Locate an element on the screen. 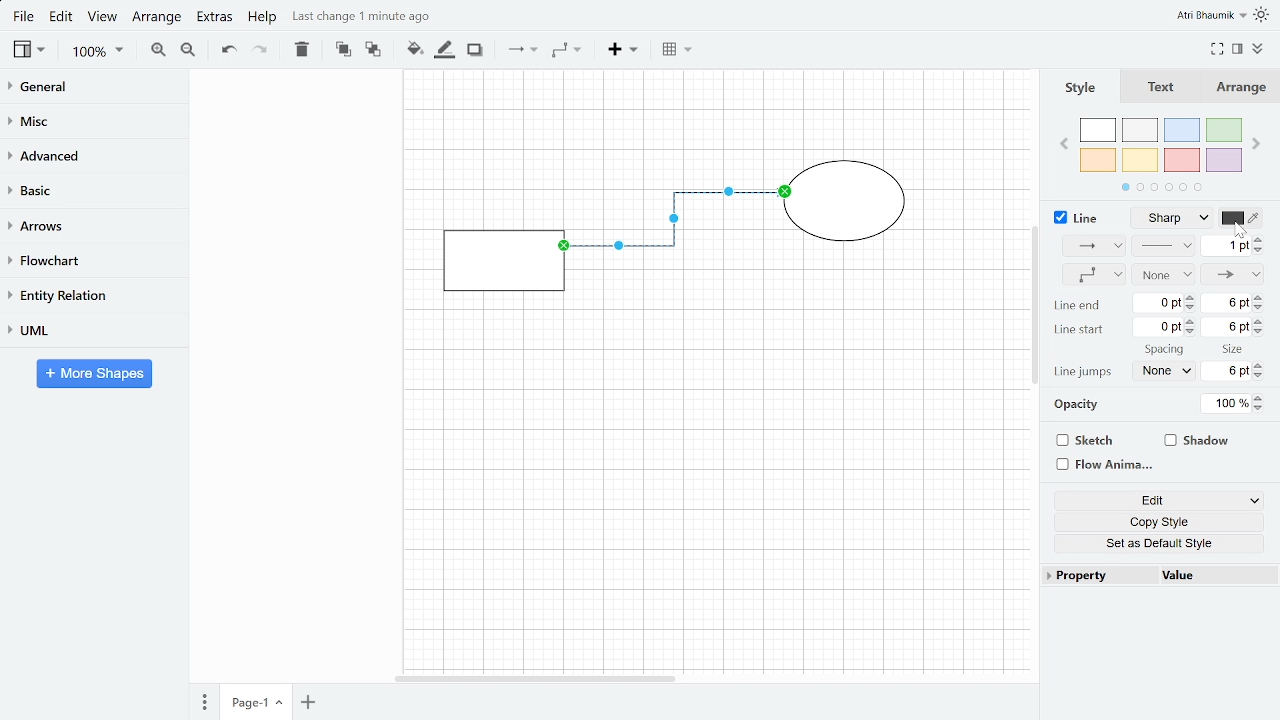 The width and height of the screenshot is (1280, 720). size is located at coordinates (1227, 350).